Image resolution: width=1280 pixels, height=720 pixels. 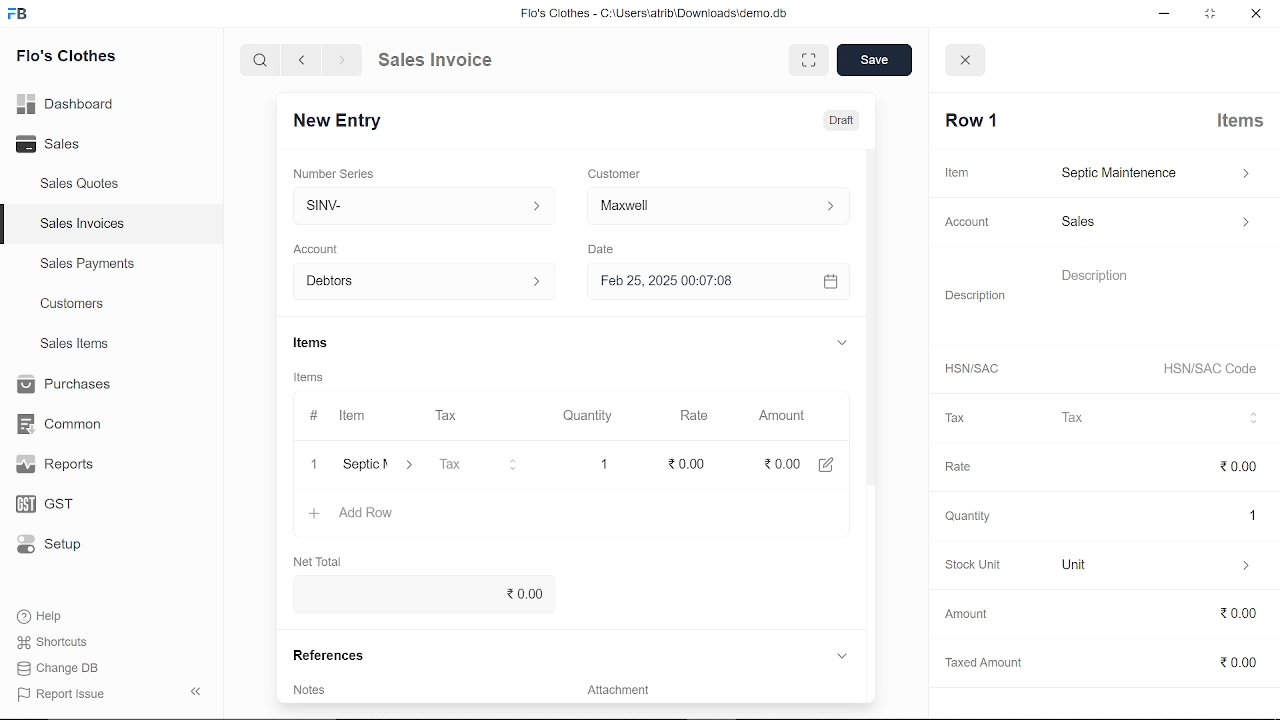 I want to click on close, so click(x=967, y=61).